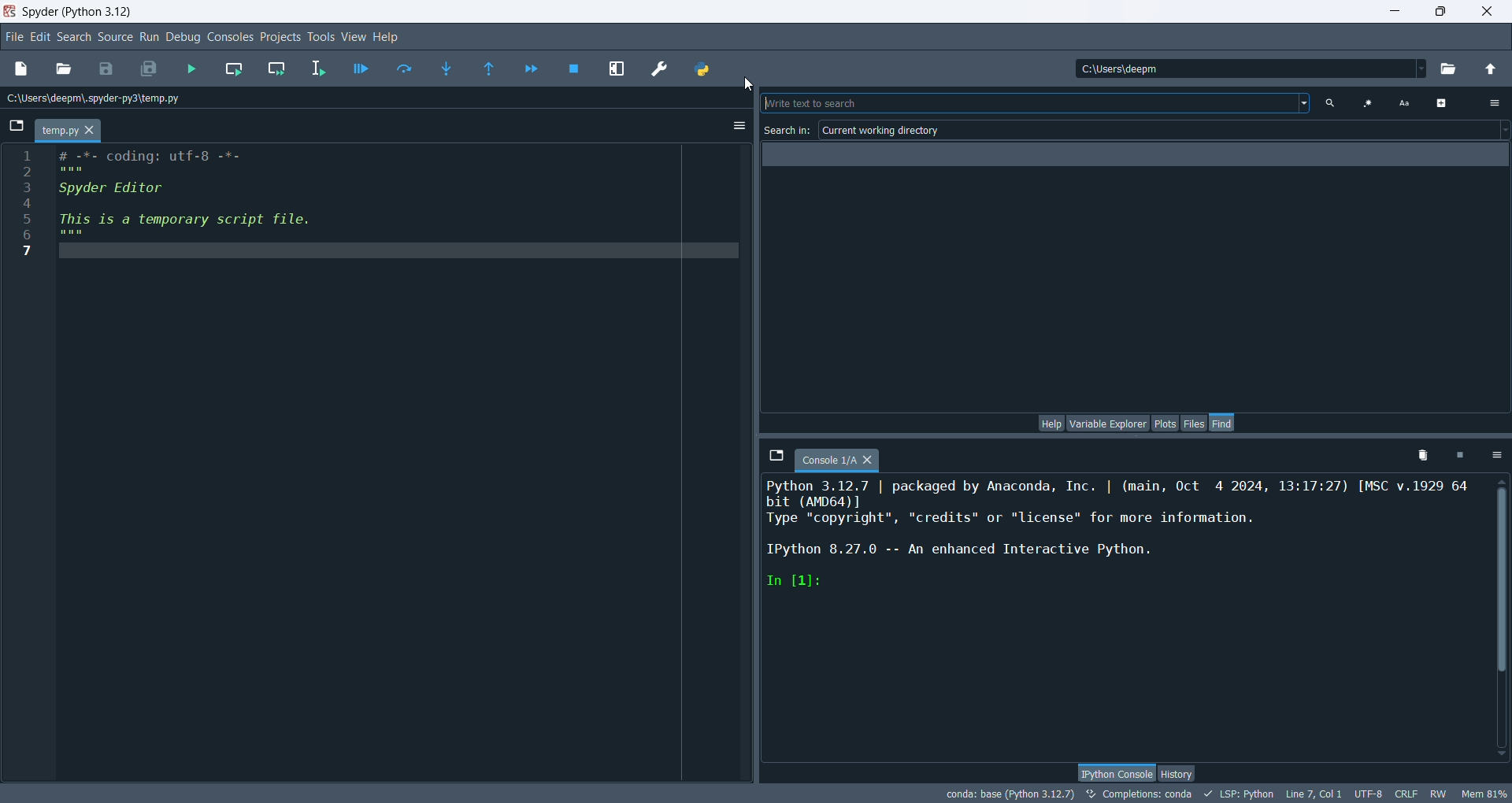 The width and height of the screenshot is (1512, 803). Describe the element at coordinates (43, 37) in the screenshot. I see `edit` at that location.